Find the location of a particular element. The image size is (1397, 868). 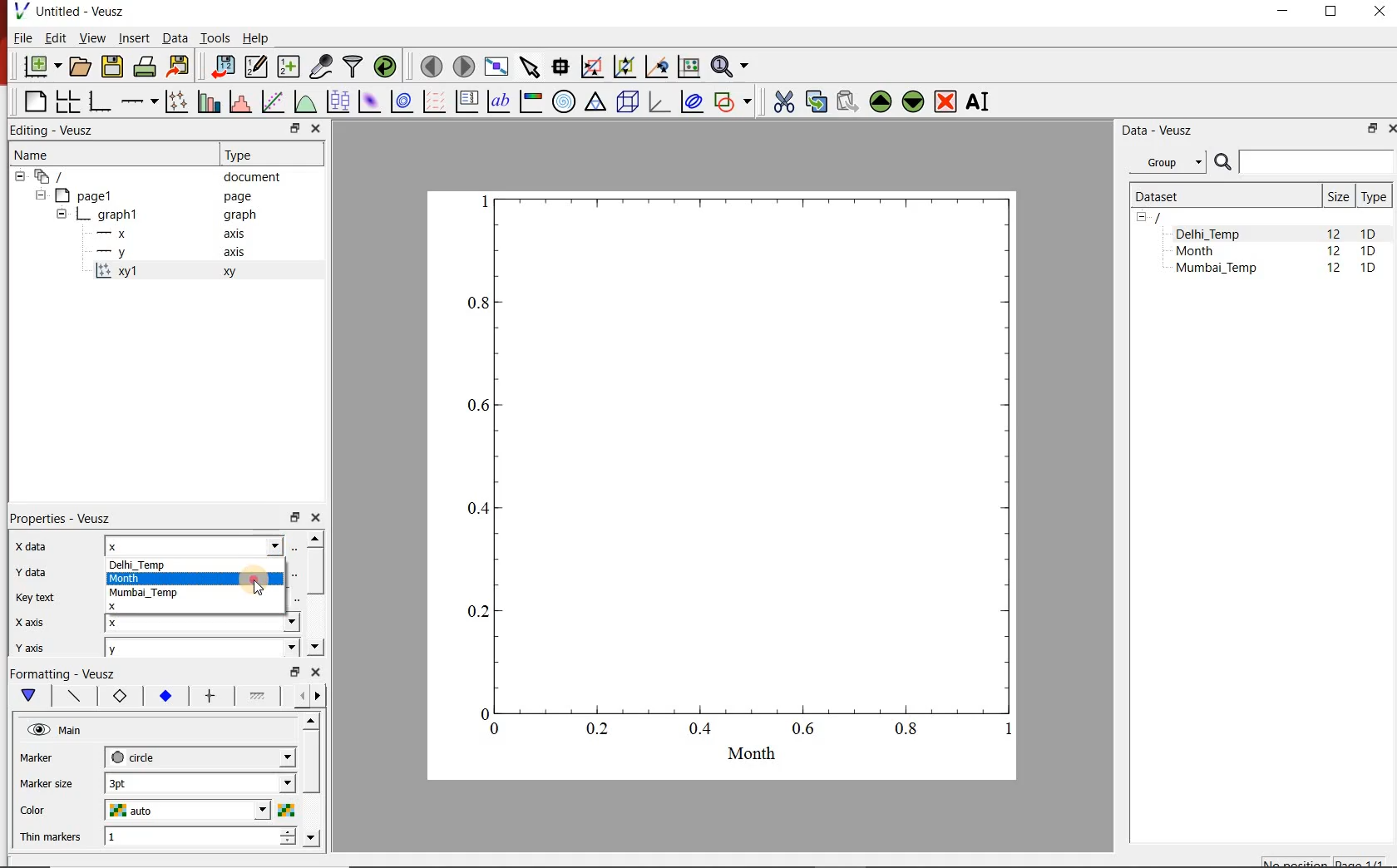

filter data is located at coordinates (353, 67).